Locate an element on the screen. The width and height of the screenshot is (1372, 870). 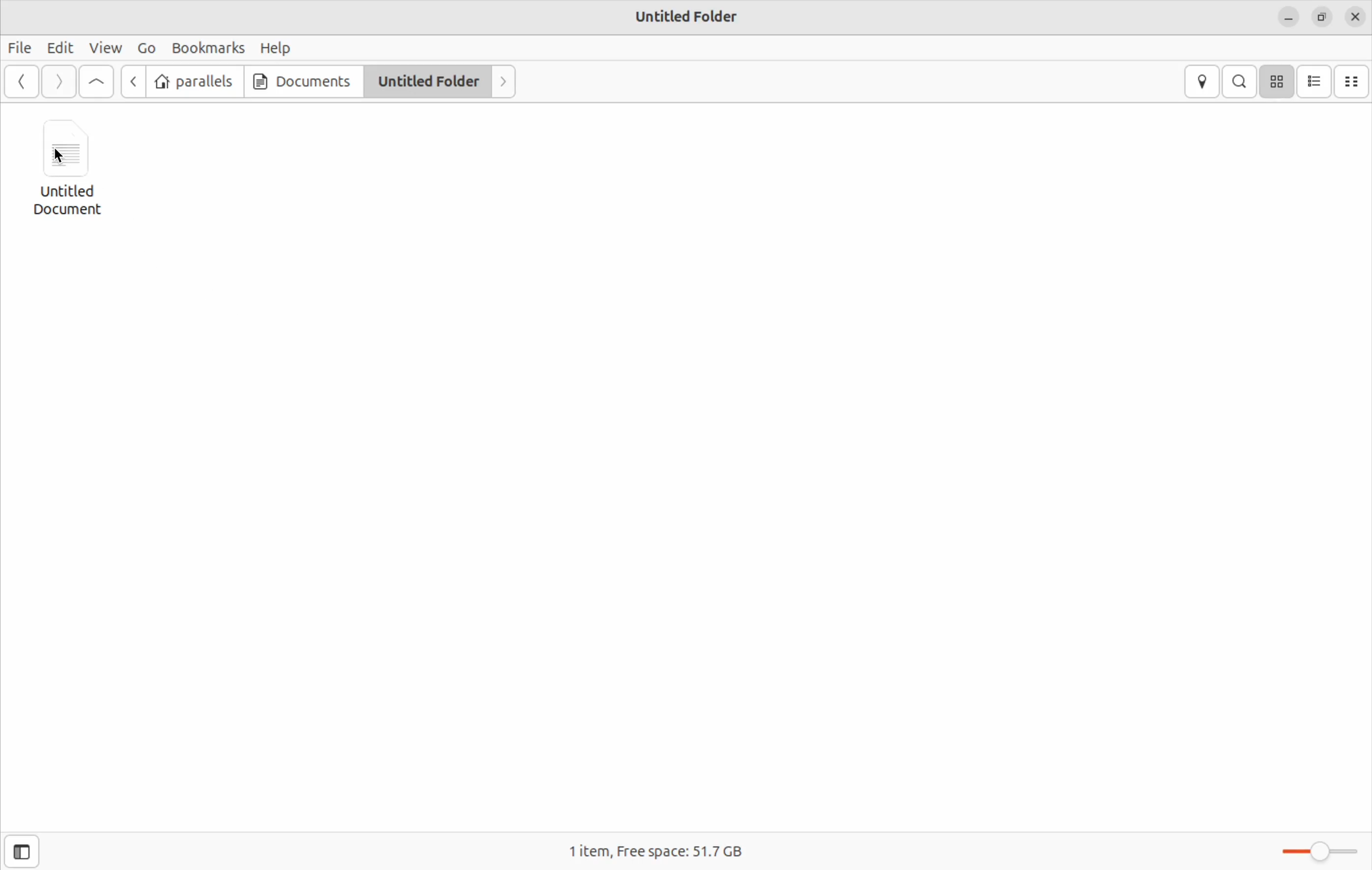
Untitled Folder is located at coordinates (688, 16).